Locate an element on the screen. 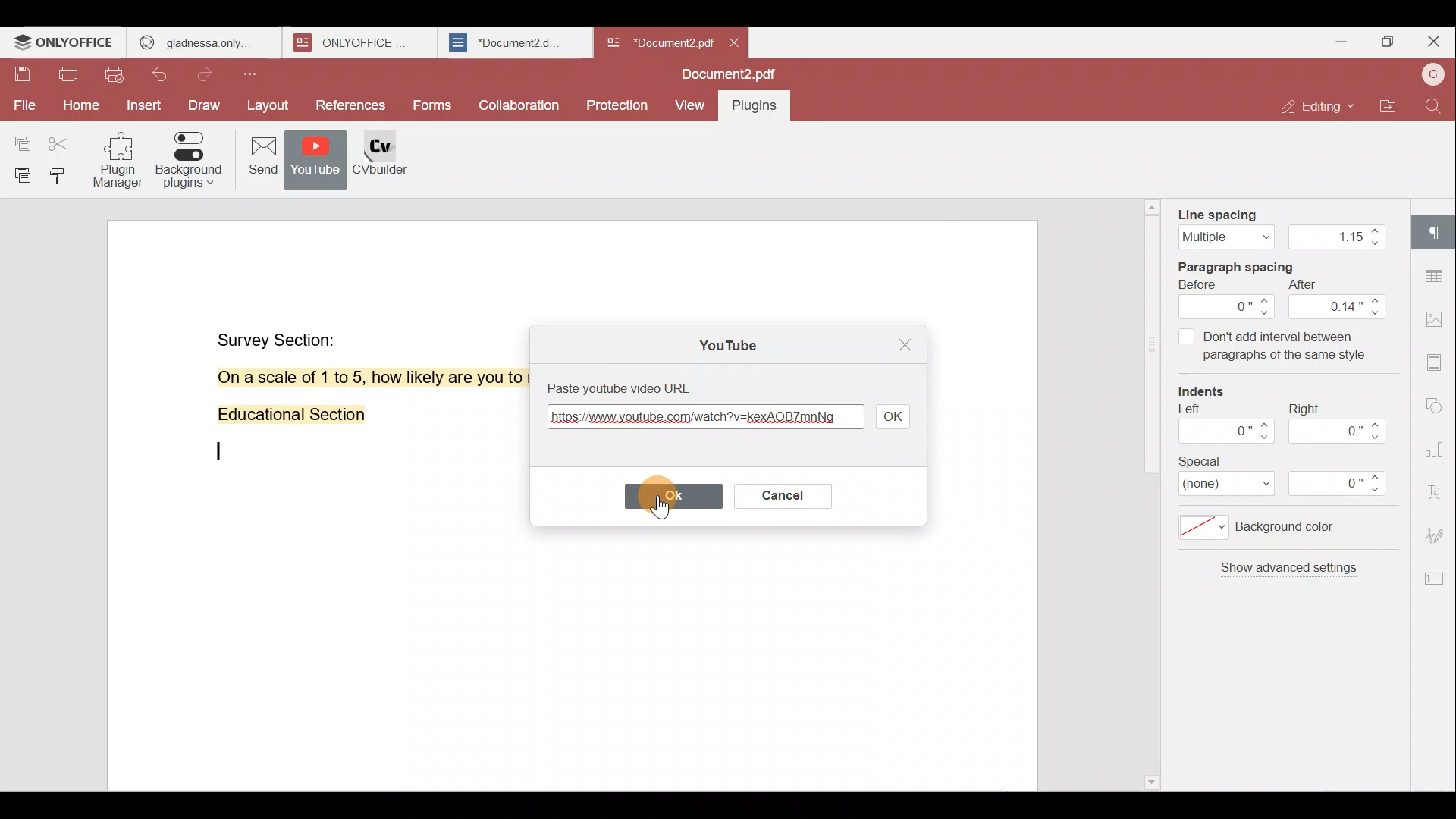 The image size is (1456, 819). plugins is located at coordinates (762, 108).